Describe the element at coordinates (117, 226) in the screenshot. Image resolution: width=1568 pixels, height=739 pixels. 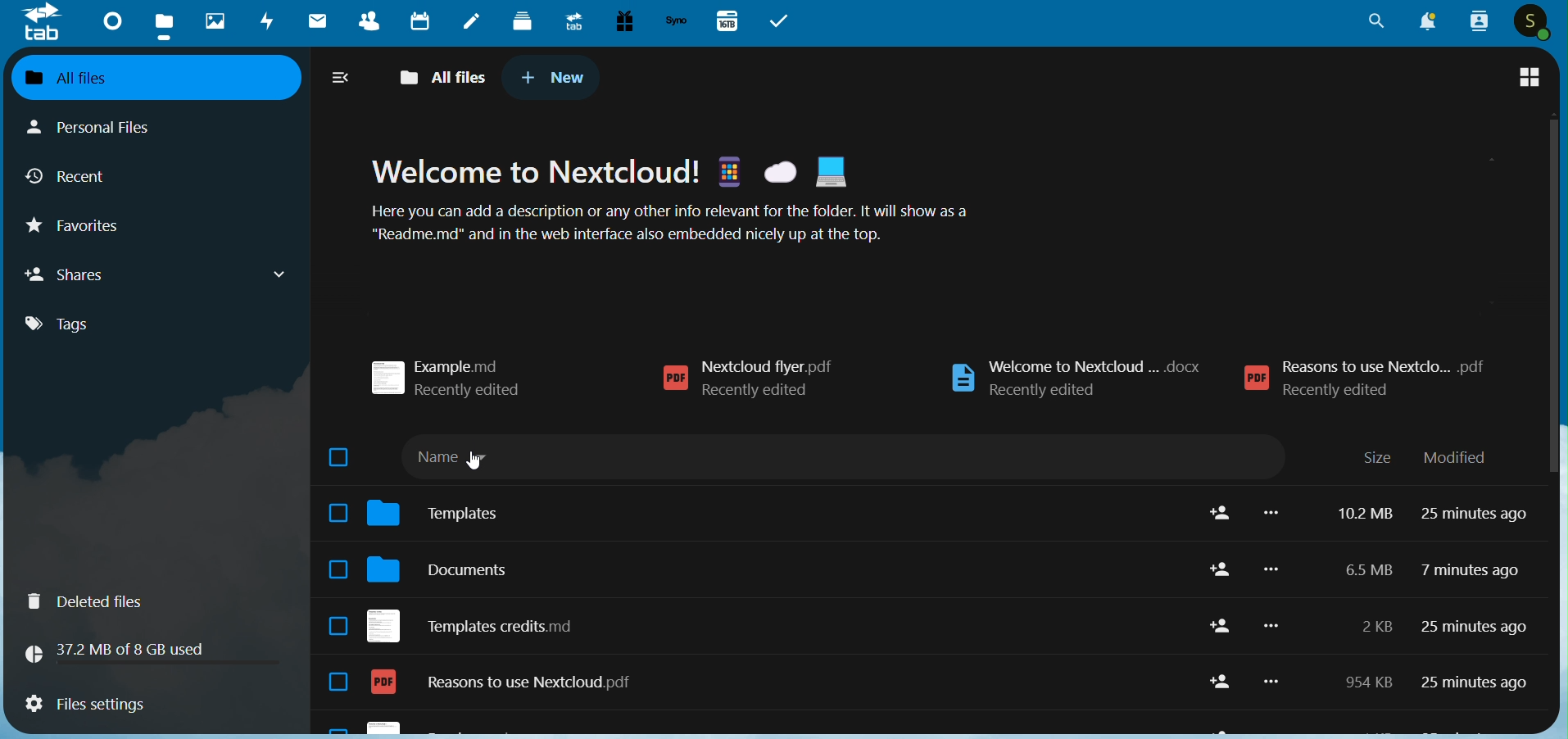
I see `Favorites` at that location.